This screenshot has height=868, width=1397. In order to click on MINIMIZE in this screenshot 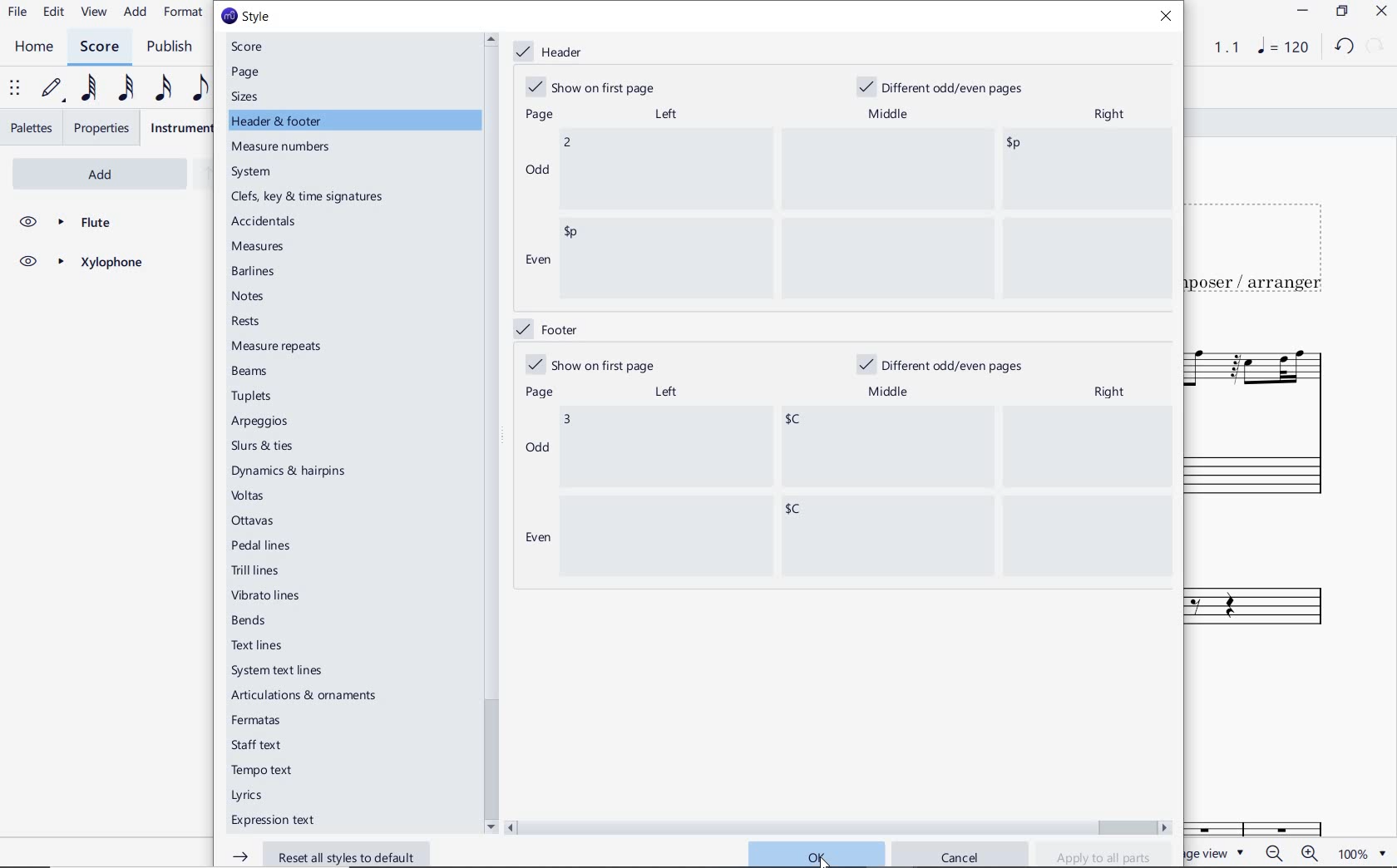, I will do `click(1301, 11)`.